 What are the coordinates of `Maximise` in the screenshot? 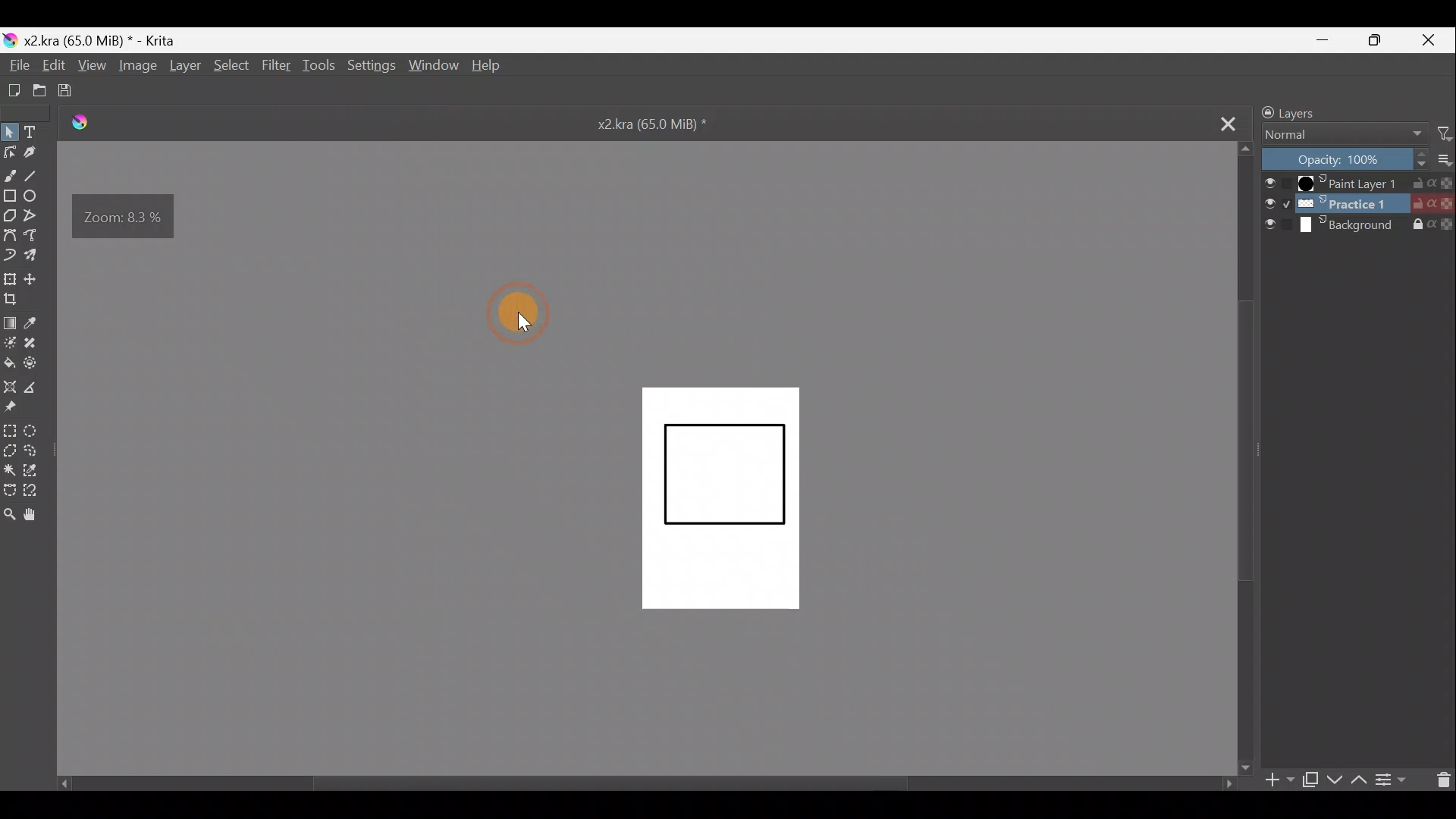 It's located at (1381, 40).